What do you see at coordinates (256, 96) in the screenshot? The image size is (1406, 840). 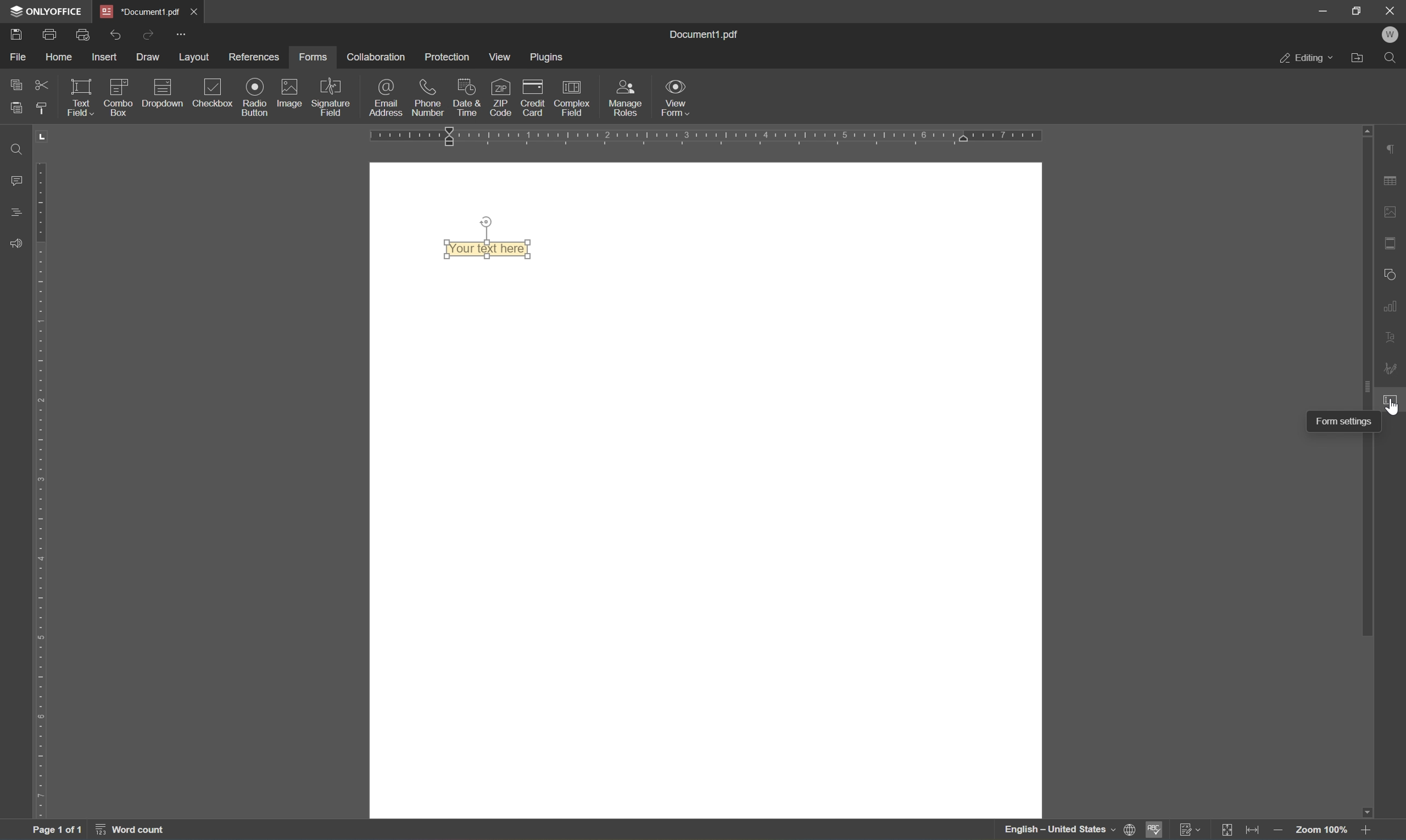 I see `radio button` at bounding box center [256, 96].